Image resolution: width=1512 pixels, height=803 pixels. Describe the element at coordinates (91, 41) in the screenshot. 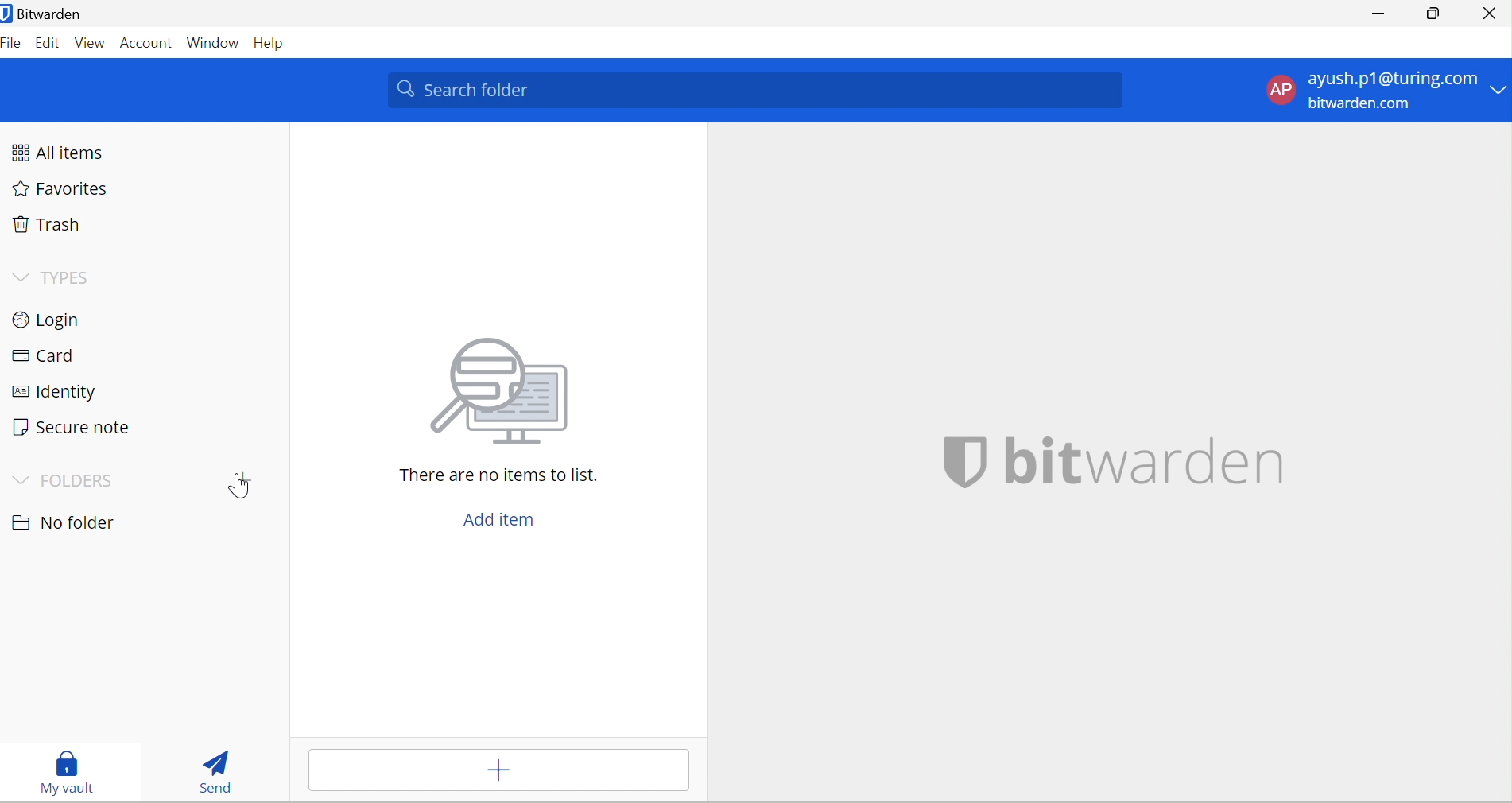

I see `View` at that location.